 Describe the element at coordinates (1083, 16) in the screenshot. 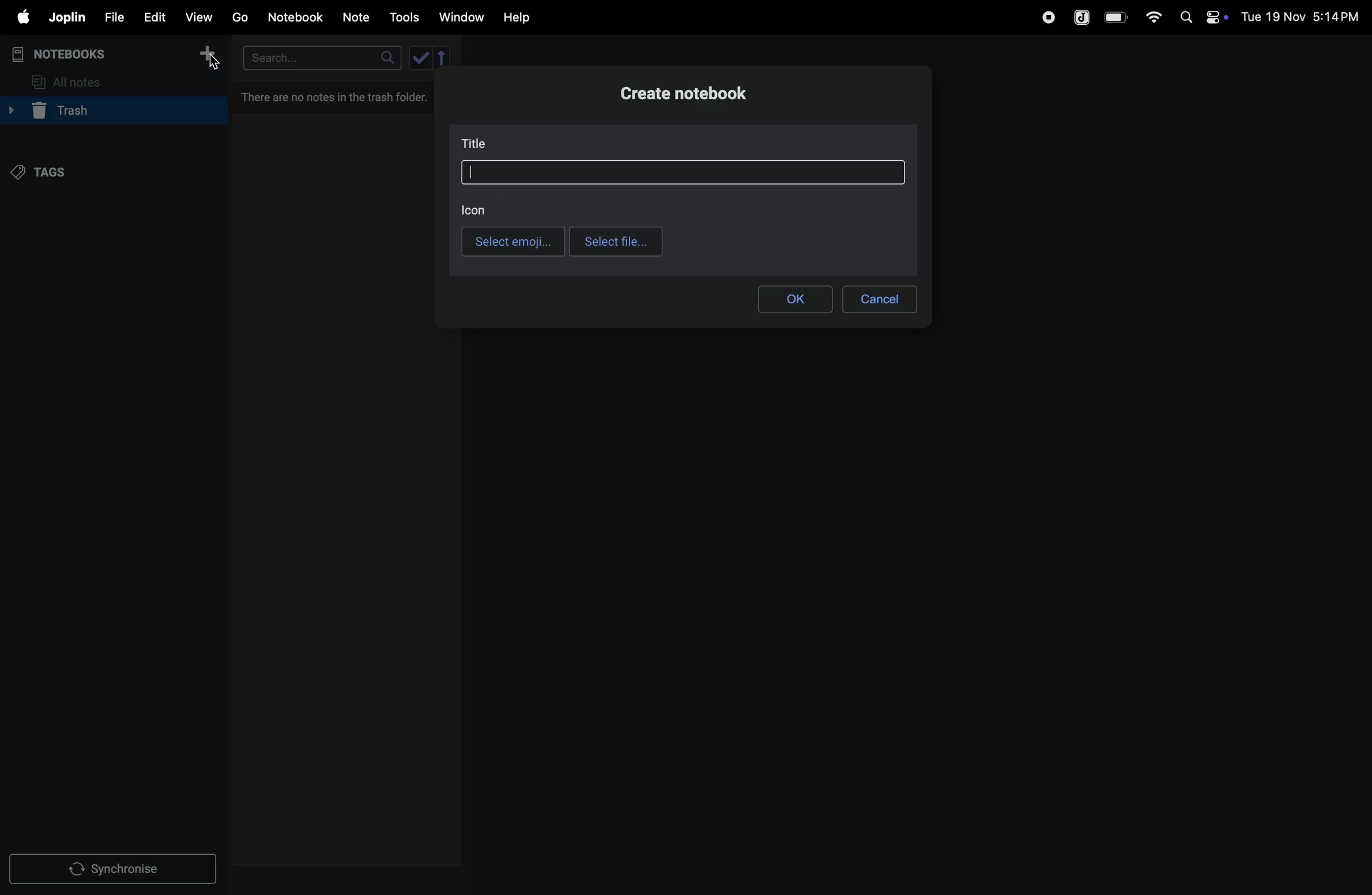

I see `joplin` at that location.